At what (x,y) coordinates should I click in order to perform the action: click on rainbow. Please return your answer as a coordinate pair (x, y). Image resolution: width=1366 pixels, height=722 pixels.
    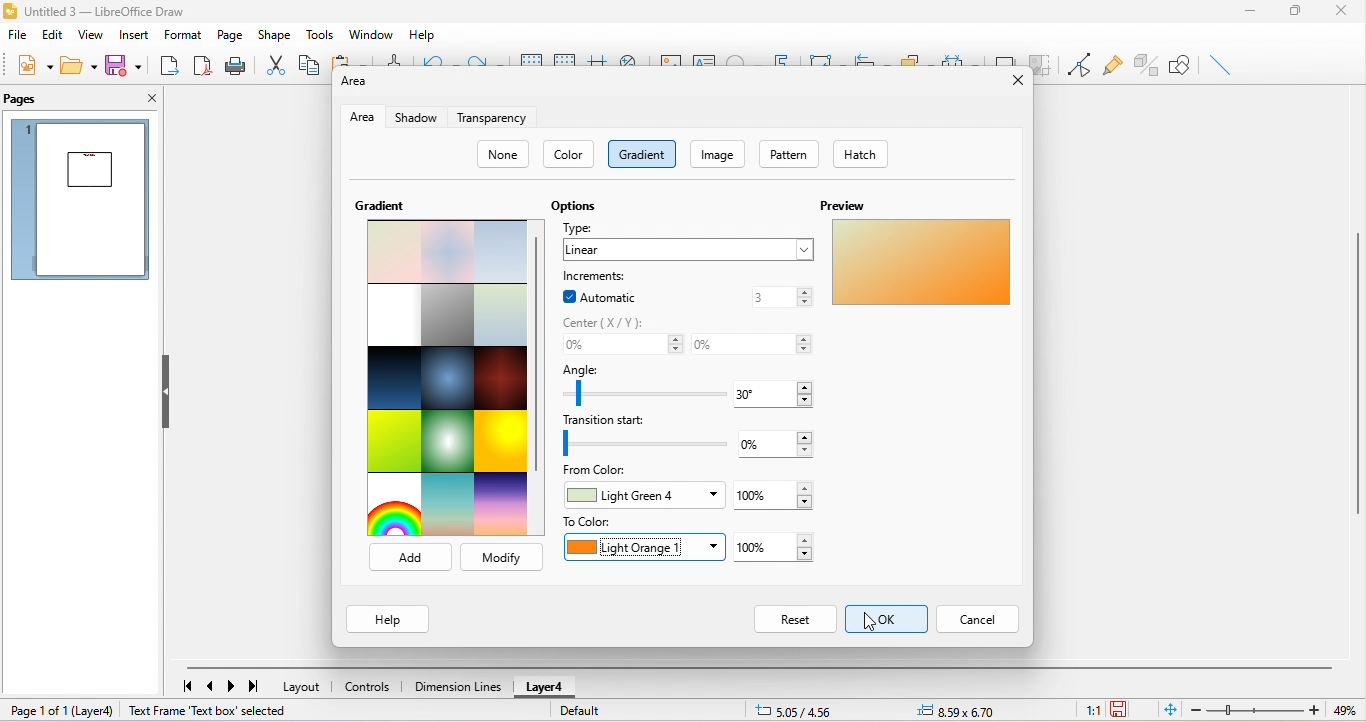
    Looking at the image, I should click on (393, 505).